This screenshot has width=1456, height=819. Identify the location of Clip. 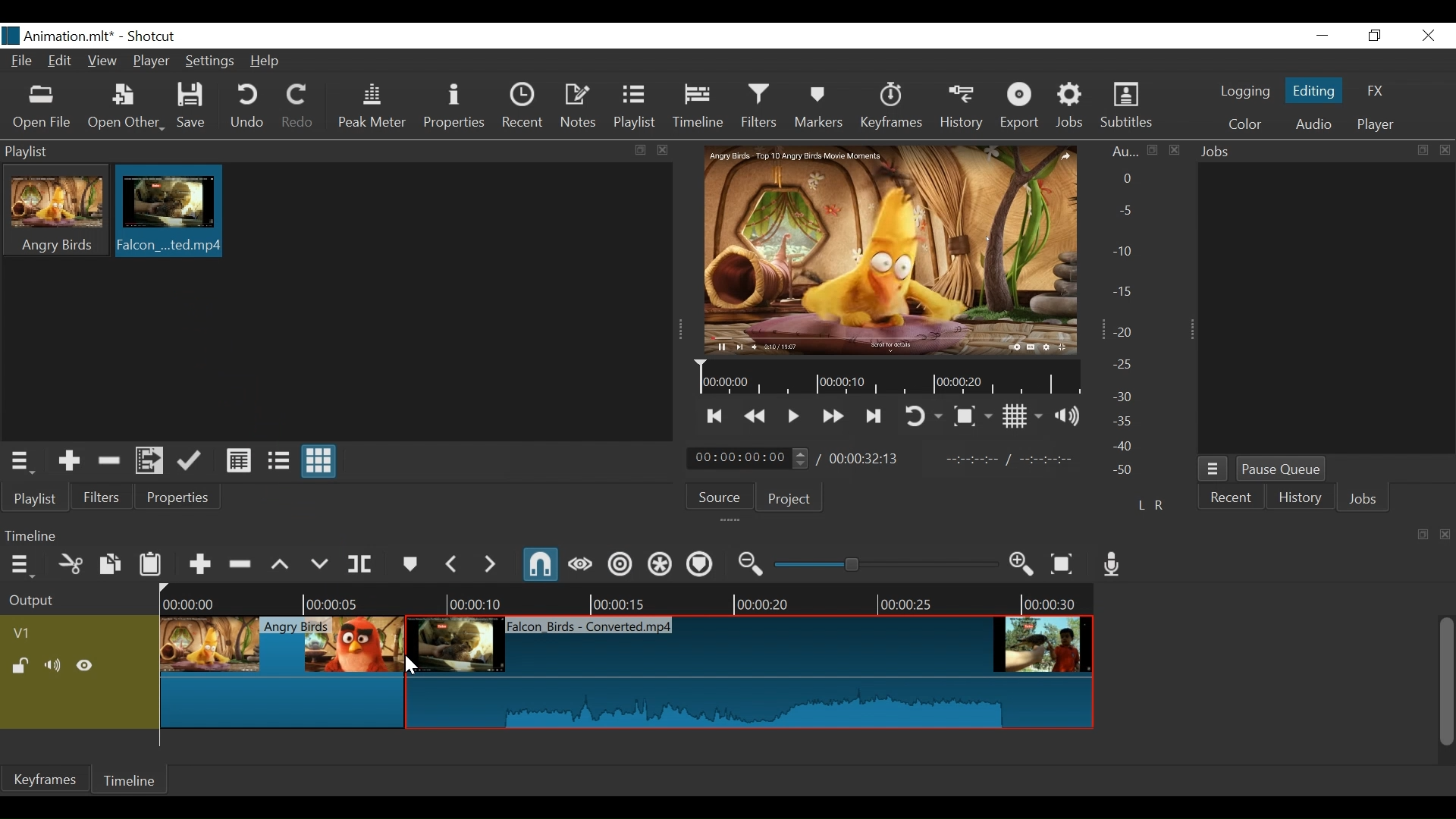
(748, 673).